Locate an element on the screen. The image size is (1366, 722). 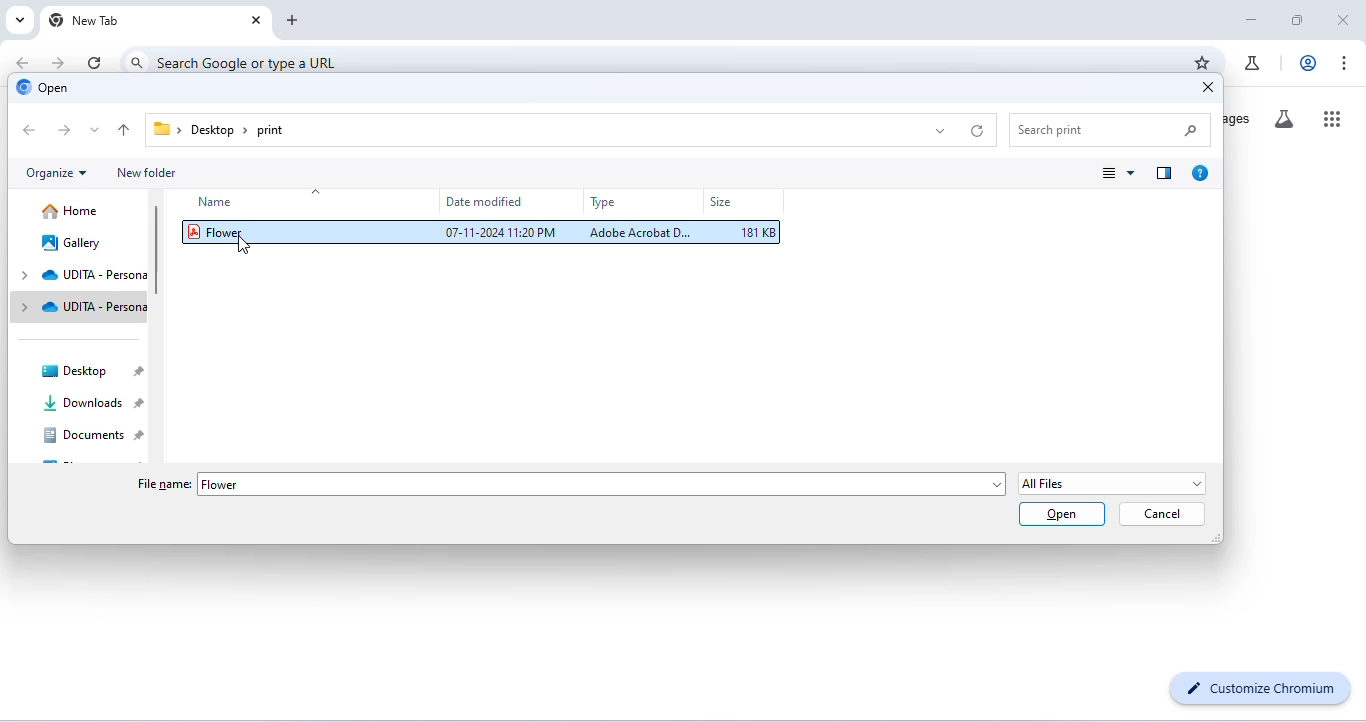
file path is located at coordinates (222, 130).